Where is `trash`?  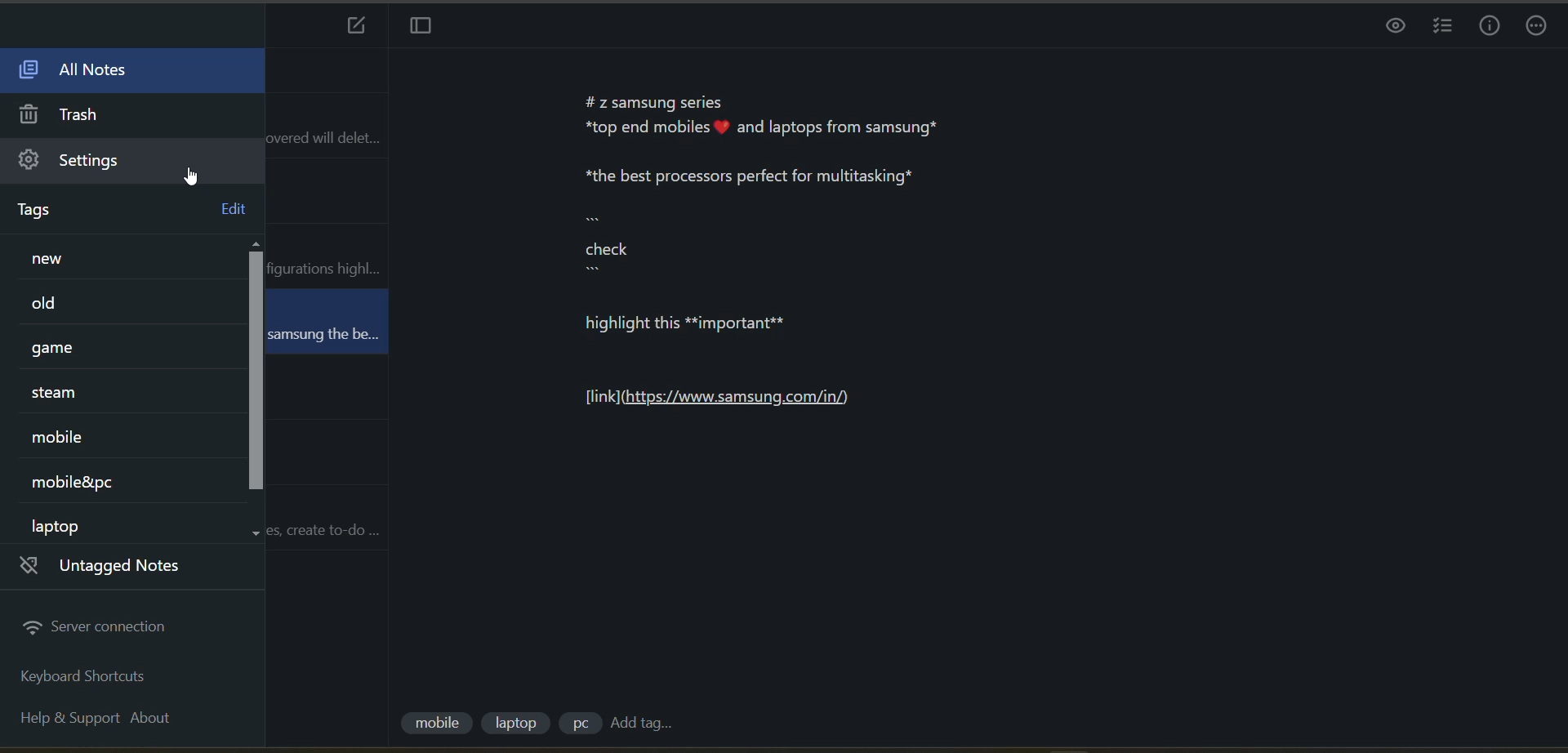
trash is located at coordinates (69, 116).